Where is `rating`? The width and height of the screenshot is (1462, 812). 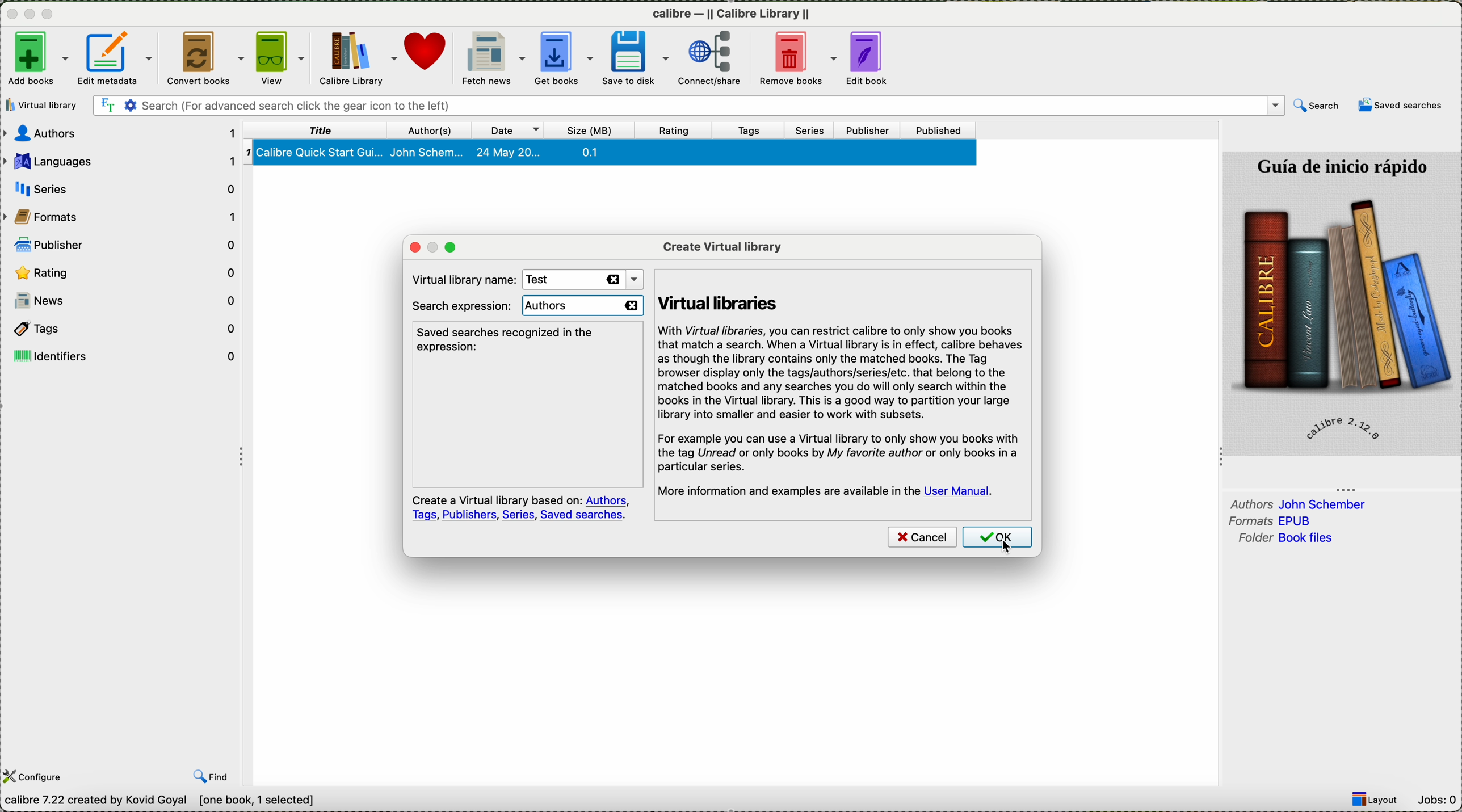 rating is located at coordinates (124, 272).